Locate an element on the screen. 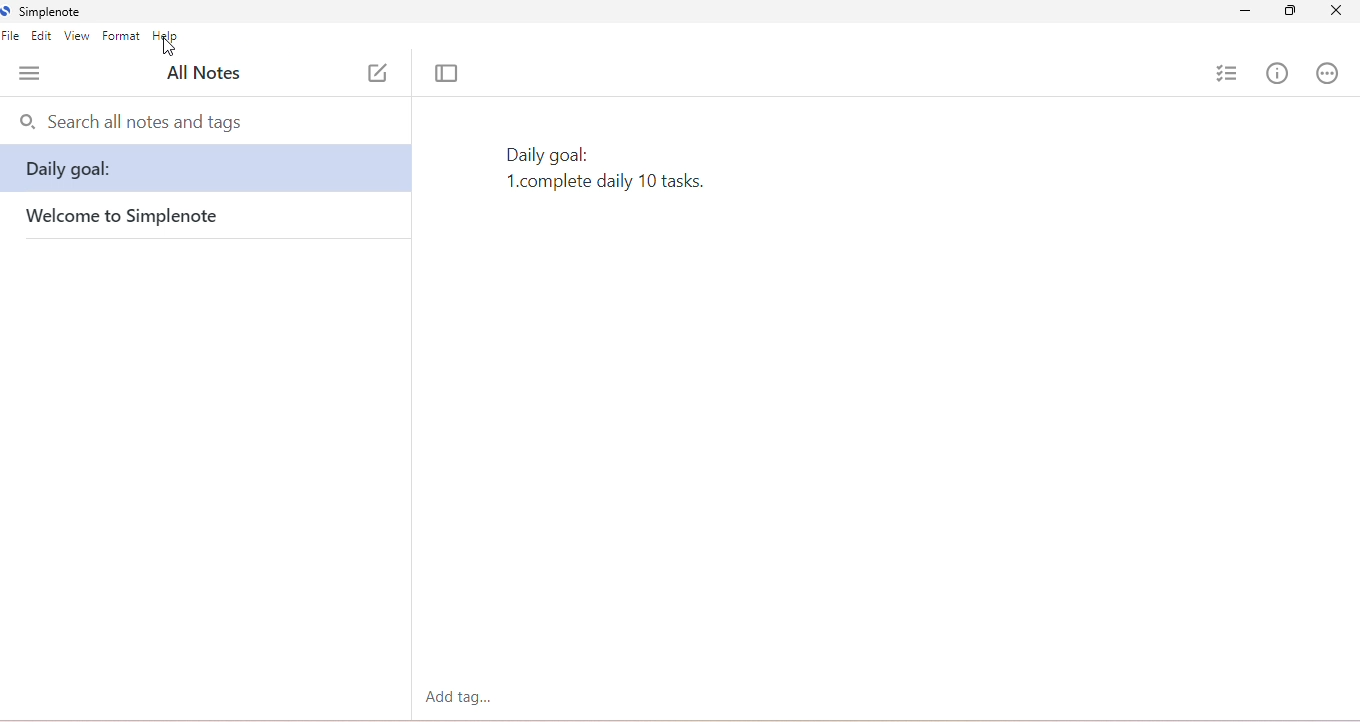 The height and width of the screenshot is (722, 1360). edit is located at coordinates (44, 37).